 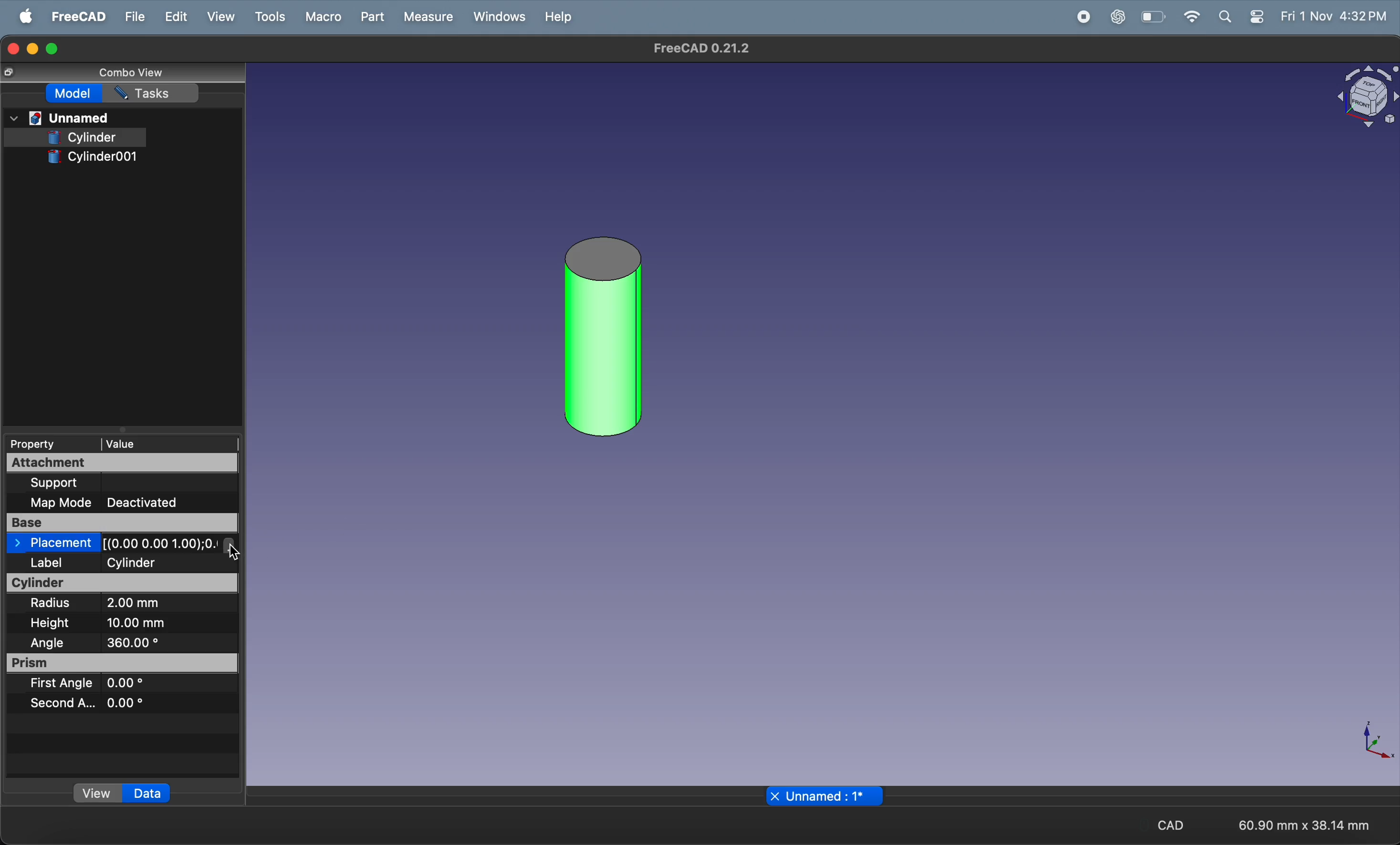 I want to click on maximize, so click(x=56, y=48).